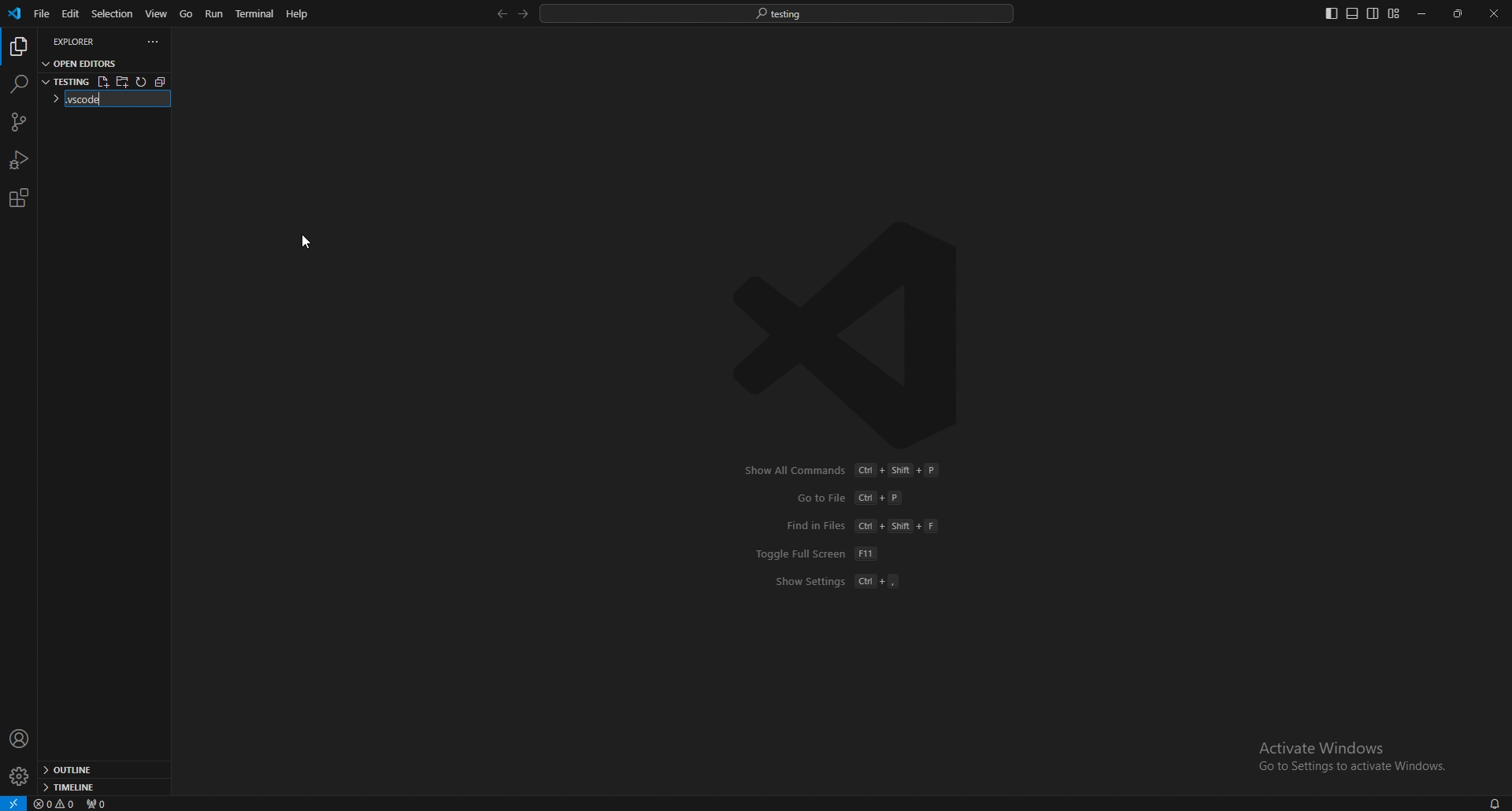  What do you see at coordinates (1494, 13) in the screenshot?
I see `close` at bounding box center [1494, 13].